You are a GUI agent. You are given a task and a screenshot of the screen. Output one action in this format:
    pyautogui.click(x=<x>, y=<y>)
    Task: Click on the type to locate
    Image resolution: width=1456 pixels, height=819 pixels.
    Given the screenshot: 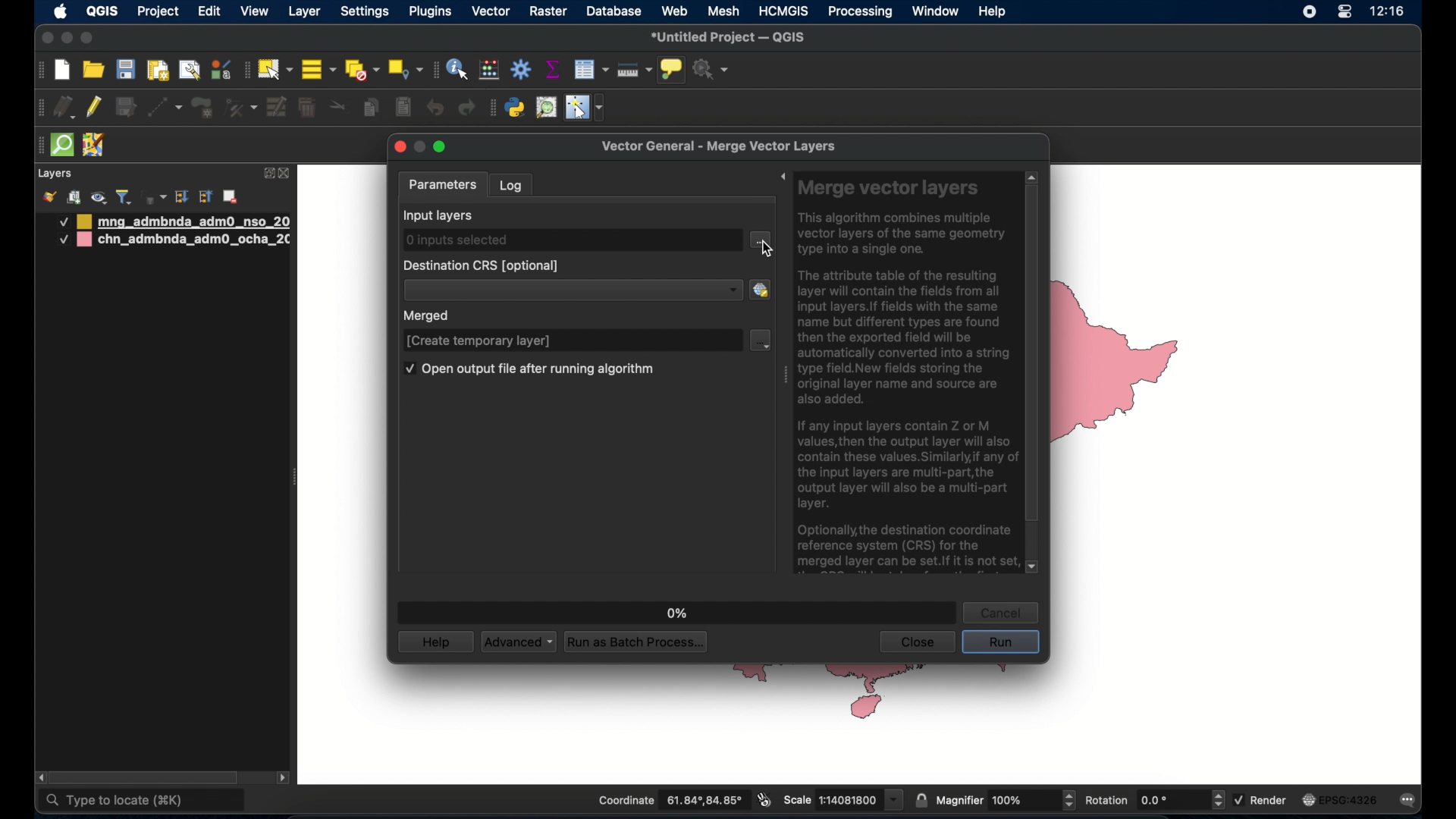 What is the action you would take?
    pyautogui.click(x=143, y=802)
    